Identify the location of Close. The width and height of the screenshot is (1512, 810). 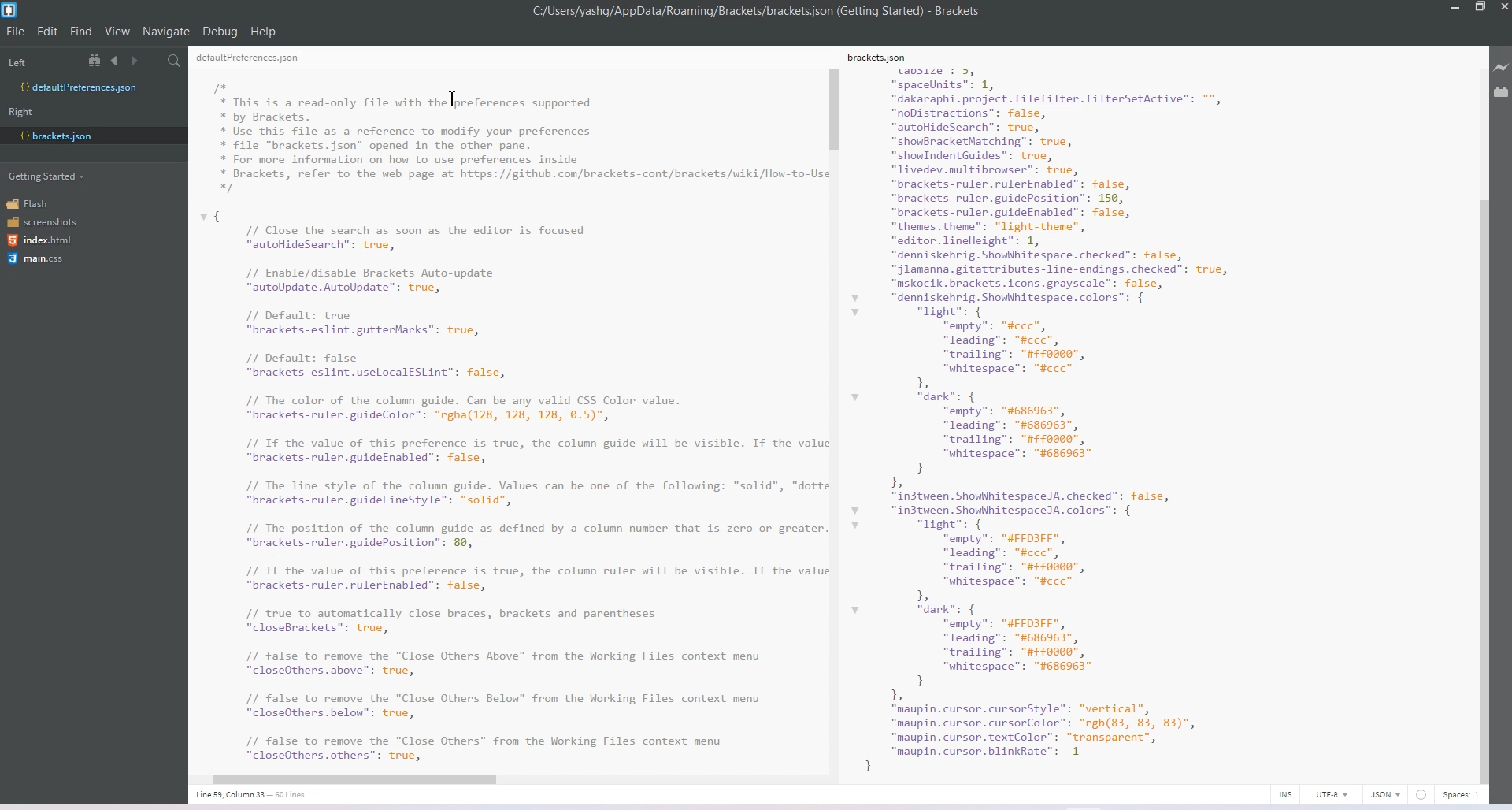
(1503, 9).